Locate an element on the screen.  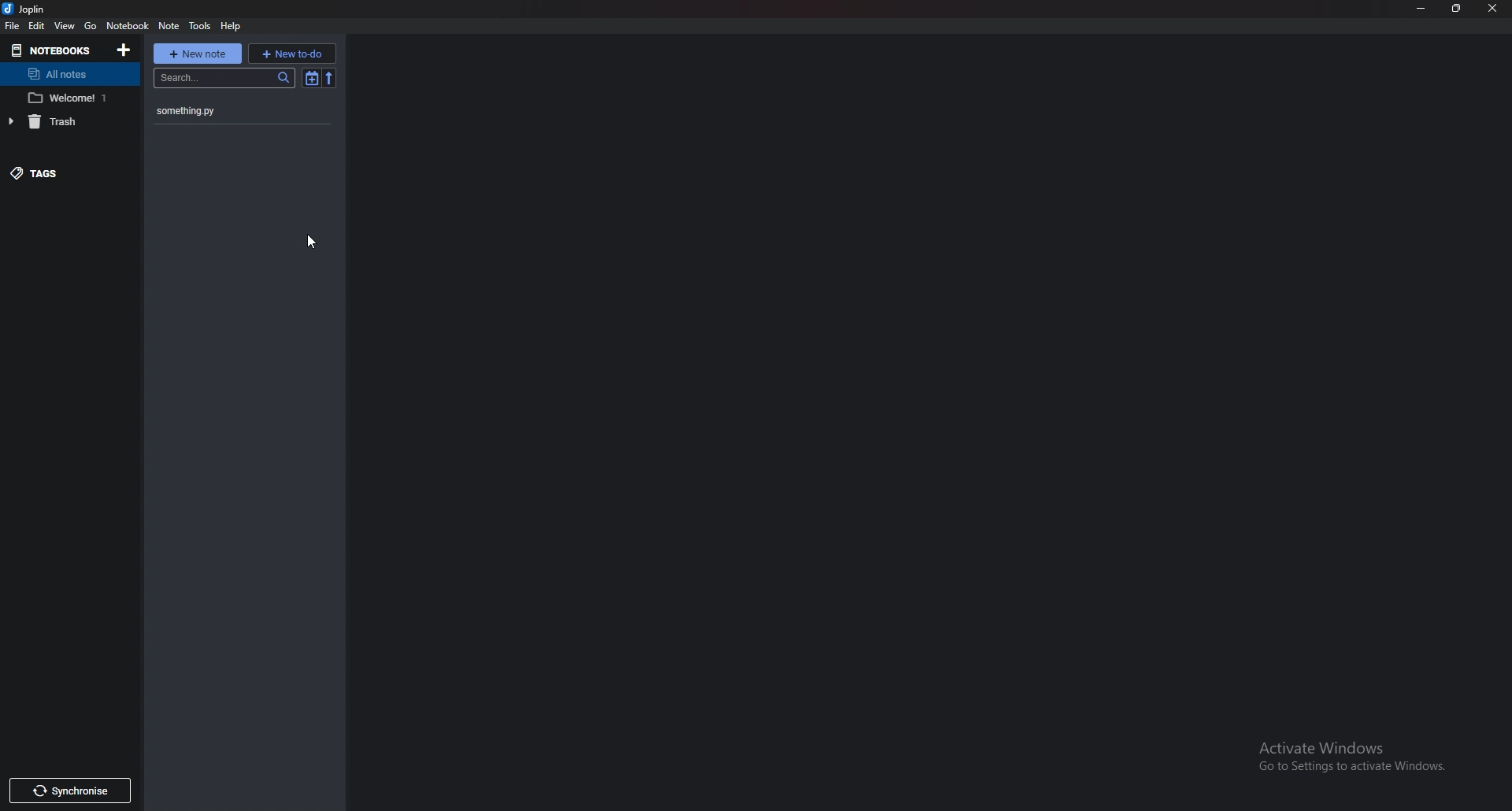
search is located at coordinates (224, 78).